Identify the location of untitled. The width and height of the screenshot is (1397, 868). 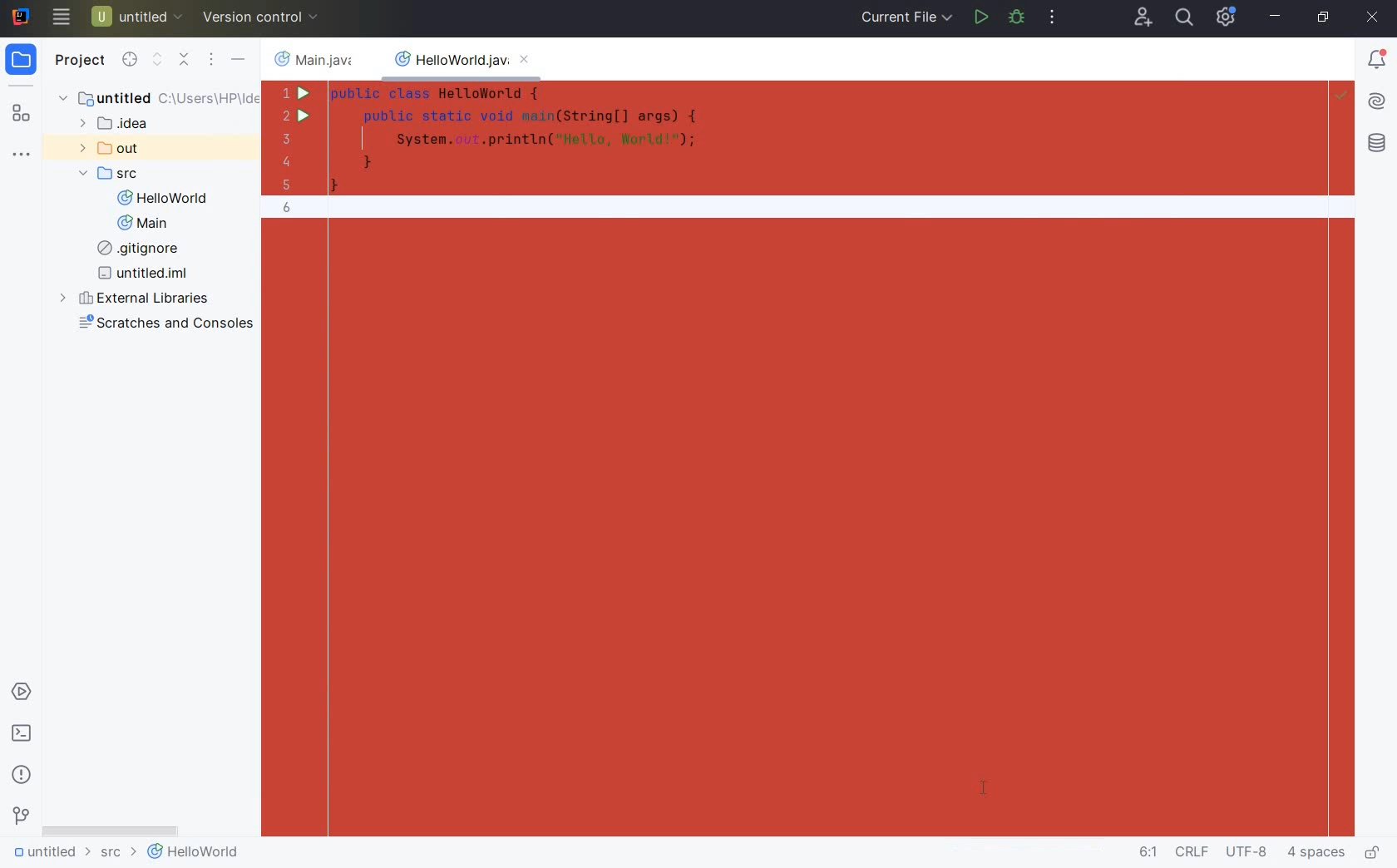
(155, 97).